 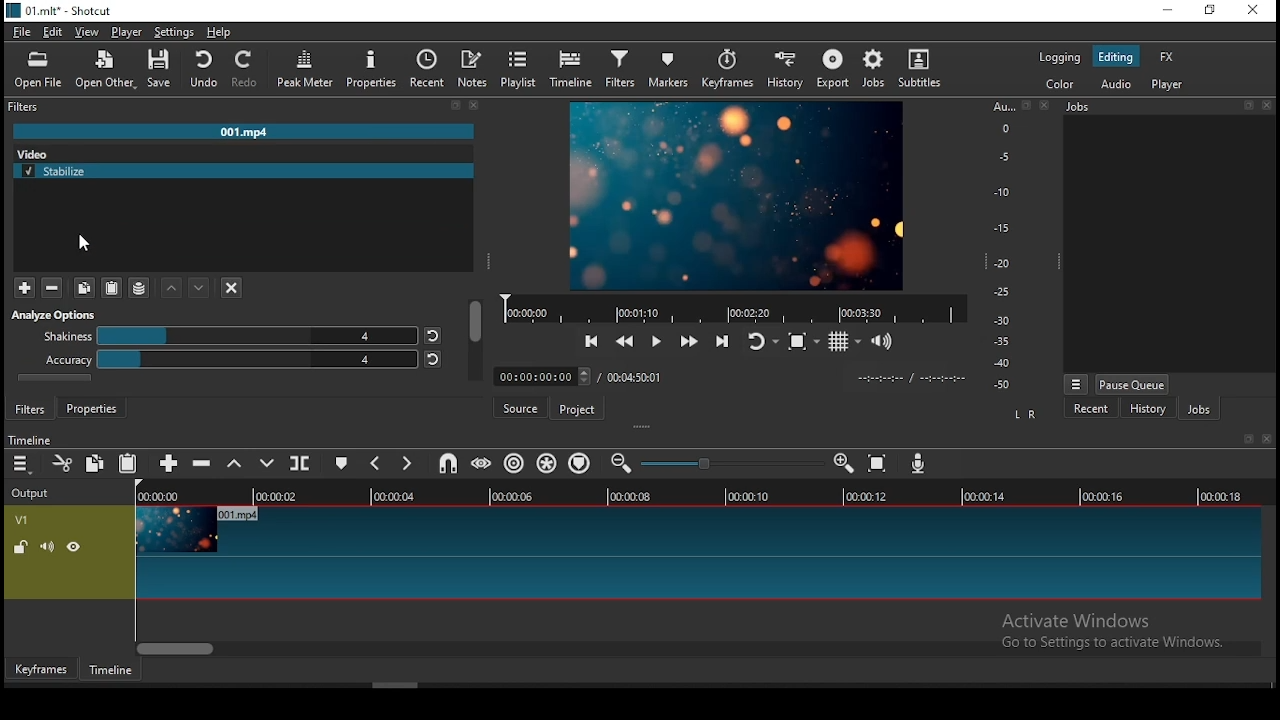 I want to click on Properties, so click(x=373, y=70).